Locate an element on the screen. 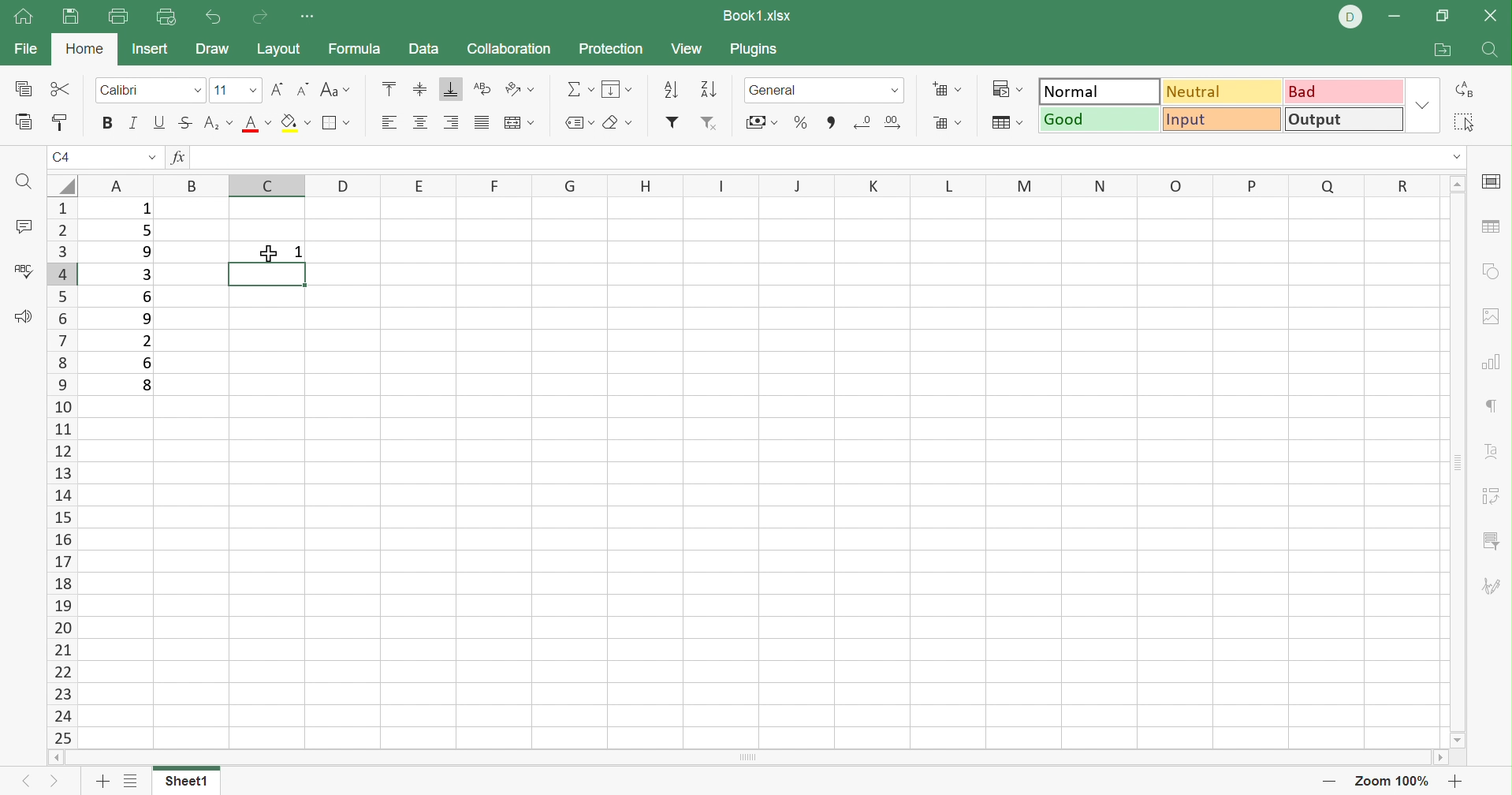  Decrement font size is located at coordinates (304, 90).